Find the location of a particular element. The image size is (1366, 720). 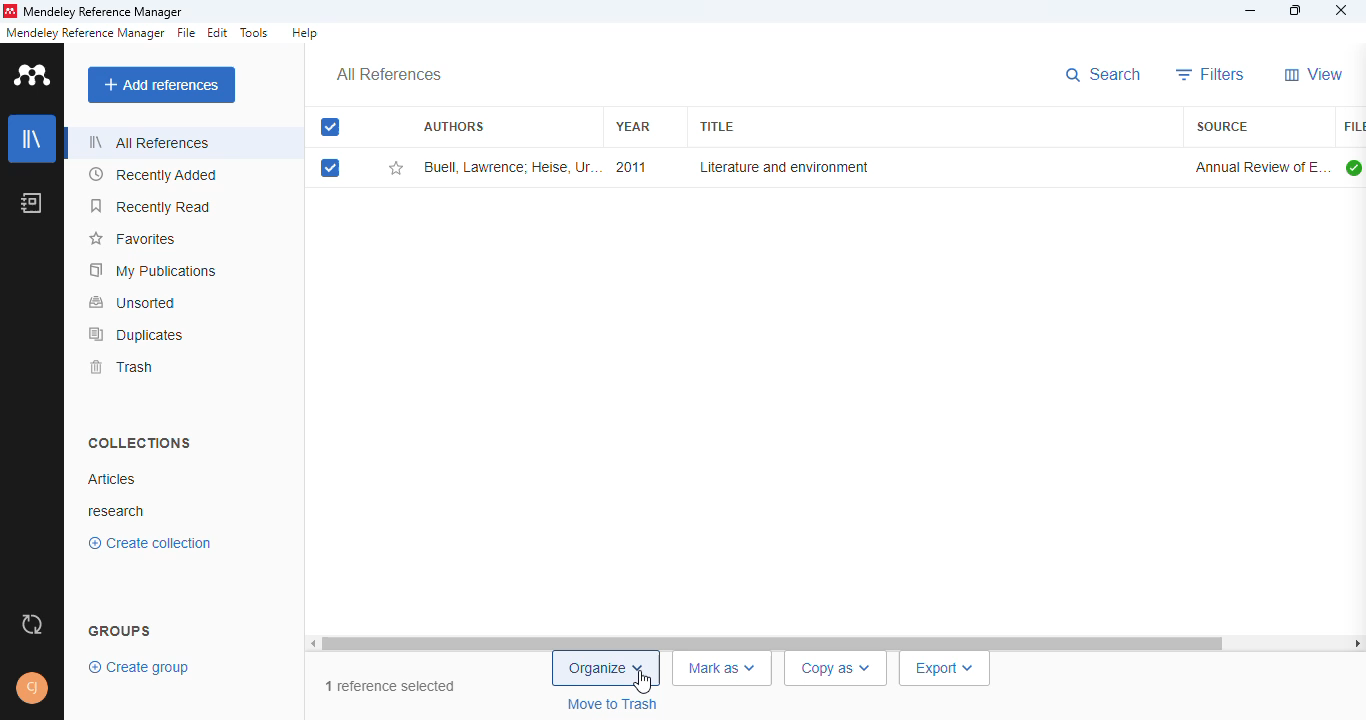

research is located at coordinates (121, 510).